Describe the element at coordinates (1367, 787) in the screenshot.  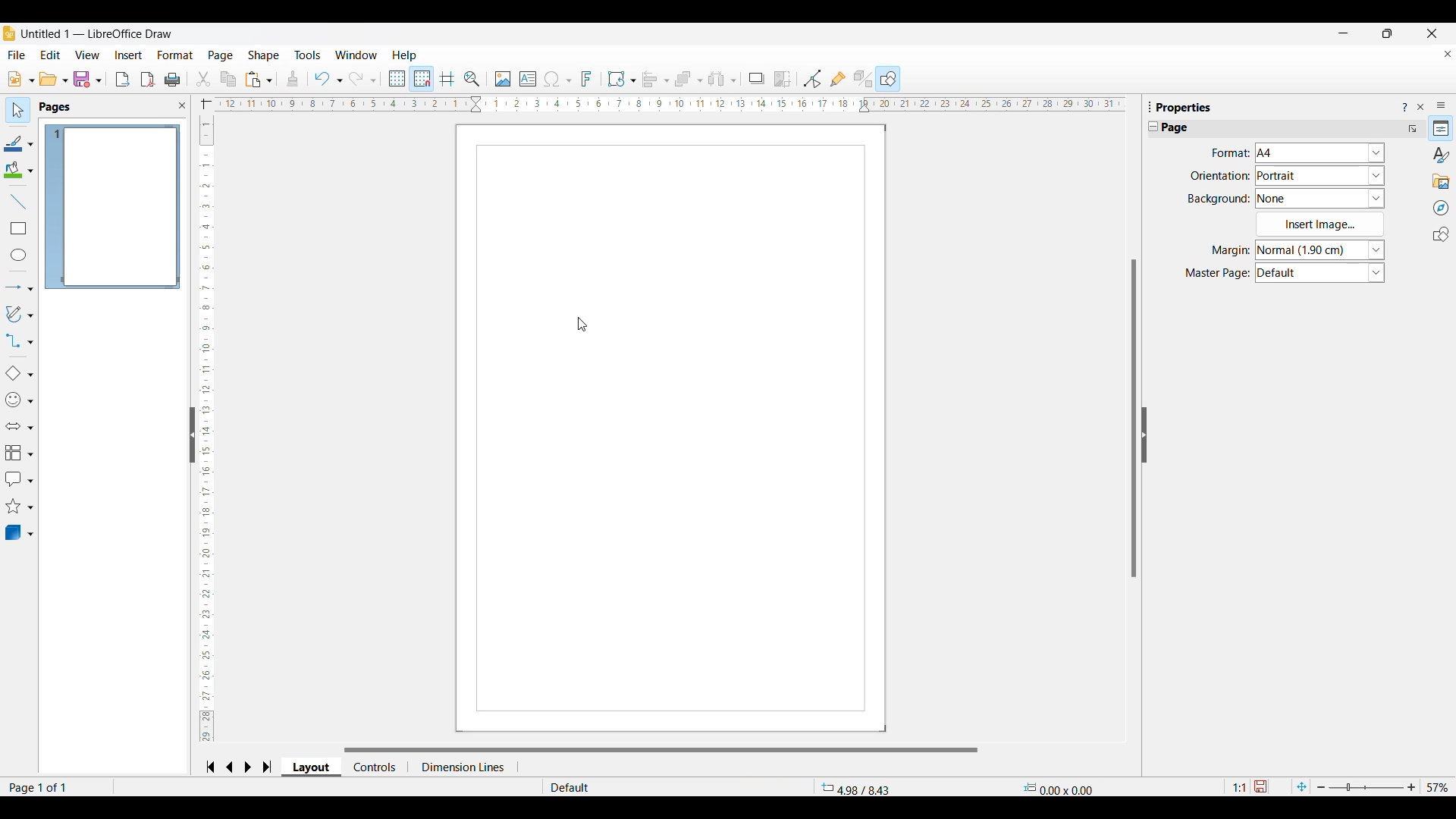
I see `Page zoom slider` at that location.